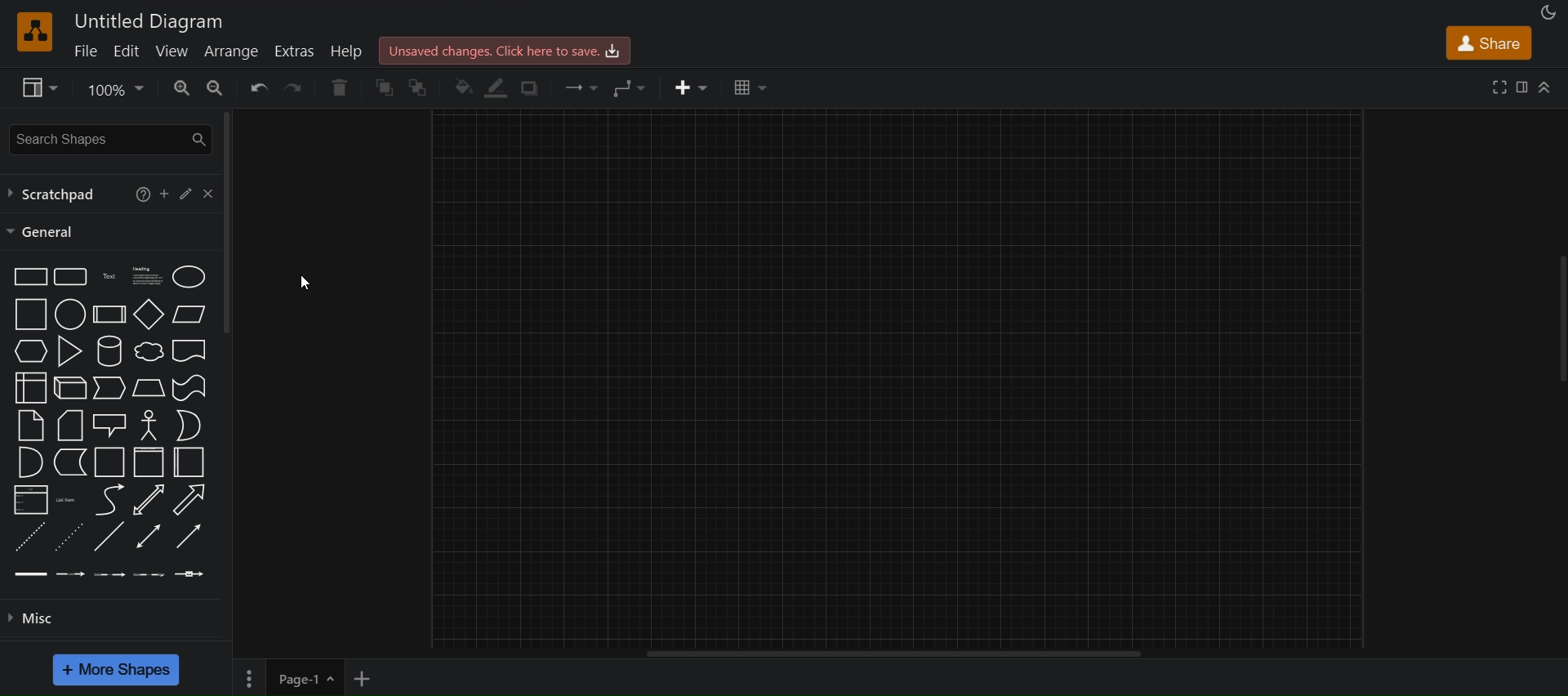 The image size is (1568, 696). Describe the element at coordinates (167, 196) in the screenshot. I see `add` at that location.